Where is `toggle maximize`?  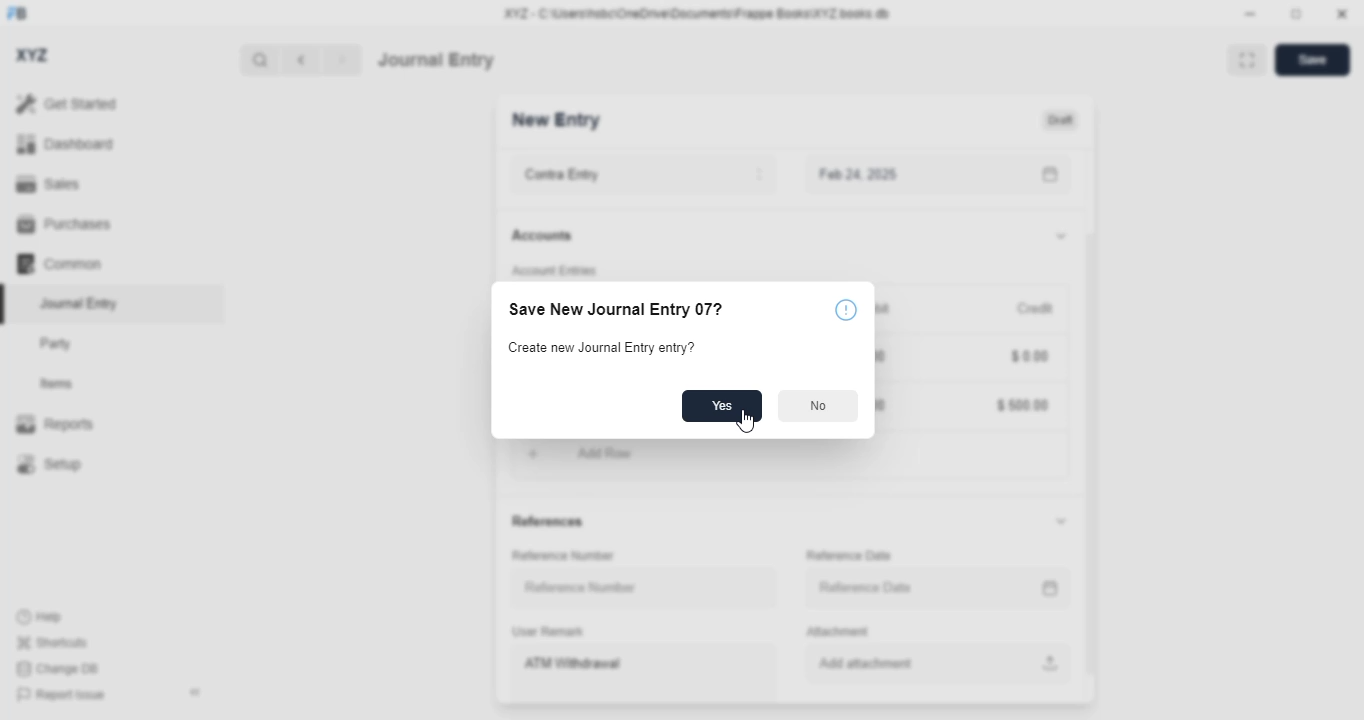
toggle maximize is located at coordinates (1296, 14).